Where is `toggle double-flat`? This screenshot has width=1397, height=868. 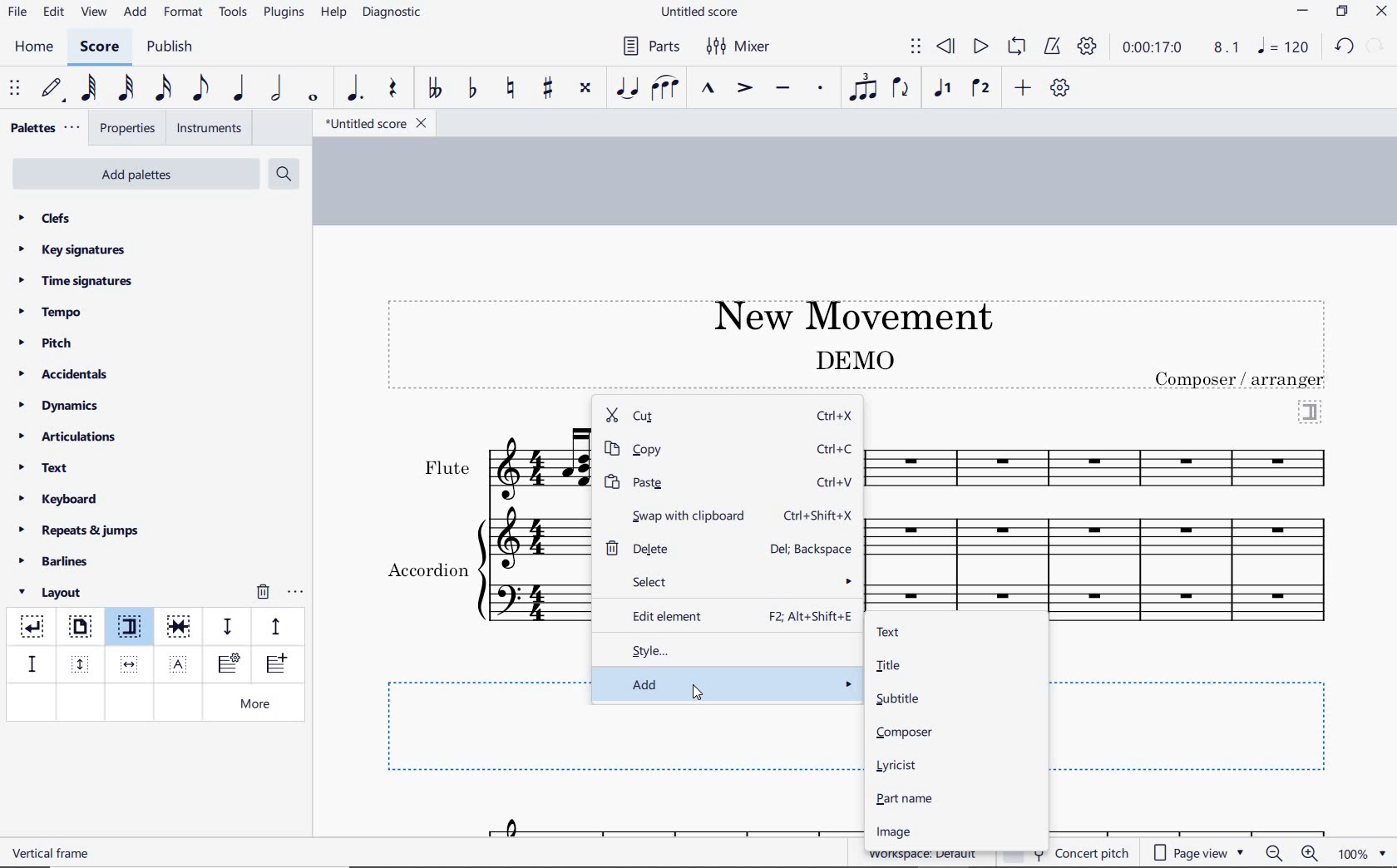 toggle double-flat is located at coordinates (434, 89).